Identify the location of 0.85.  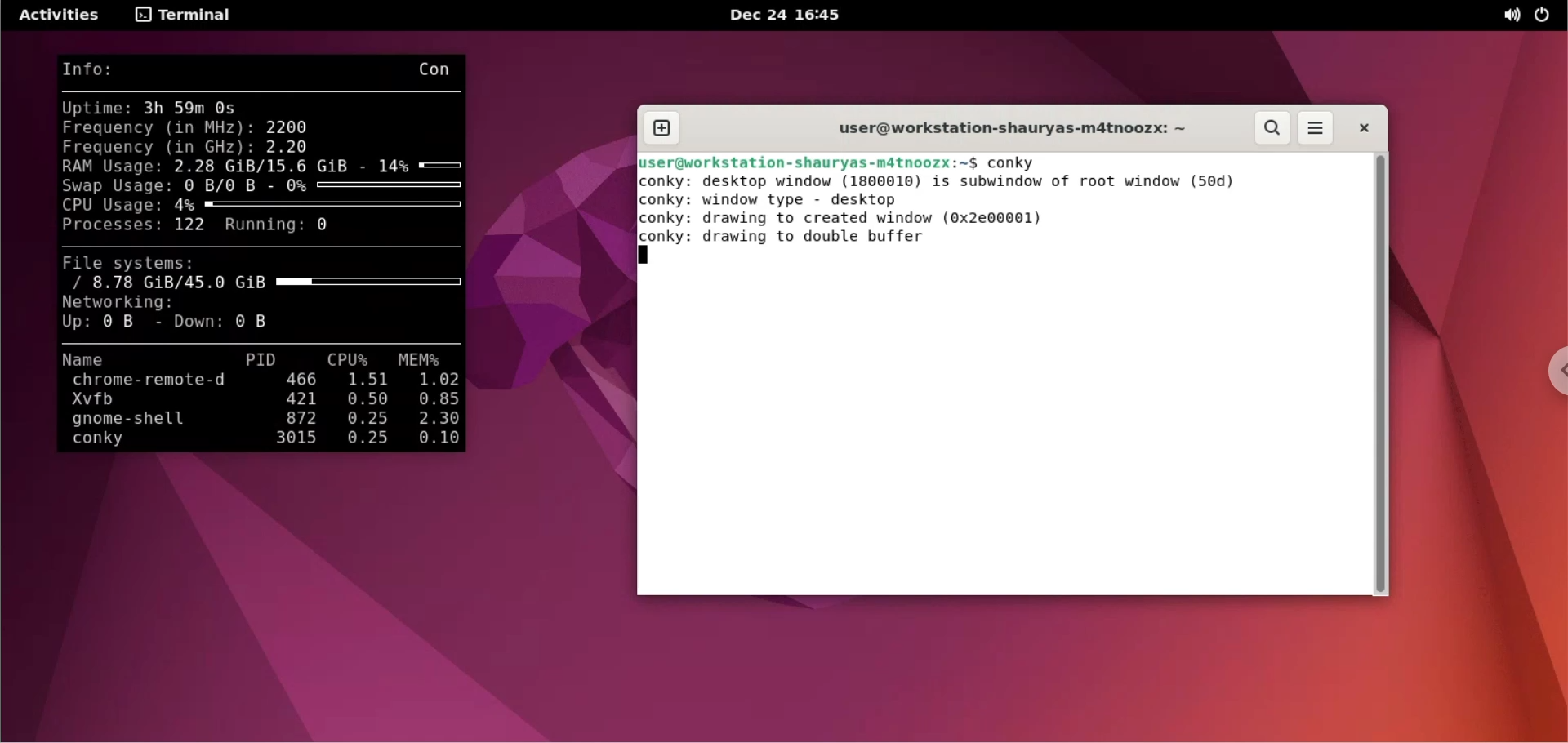
(437, 400).